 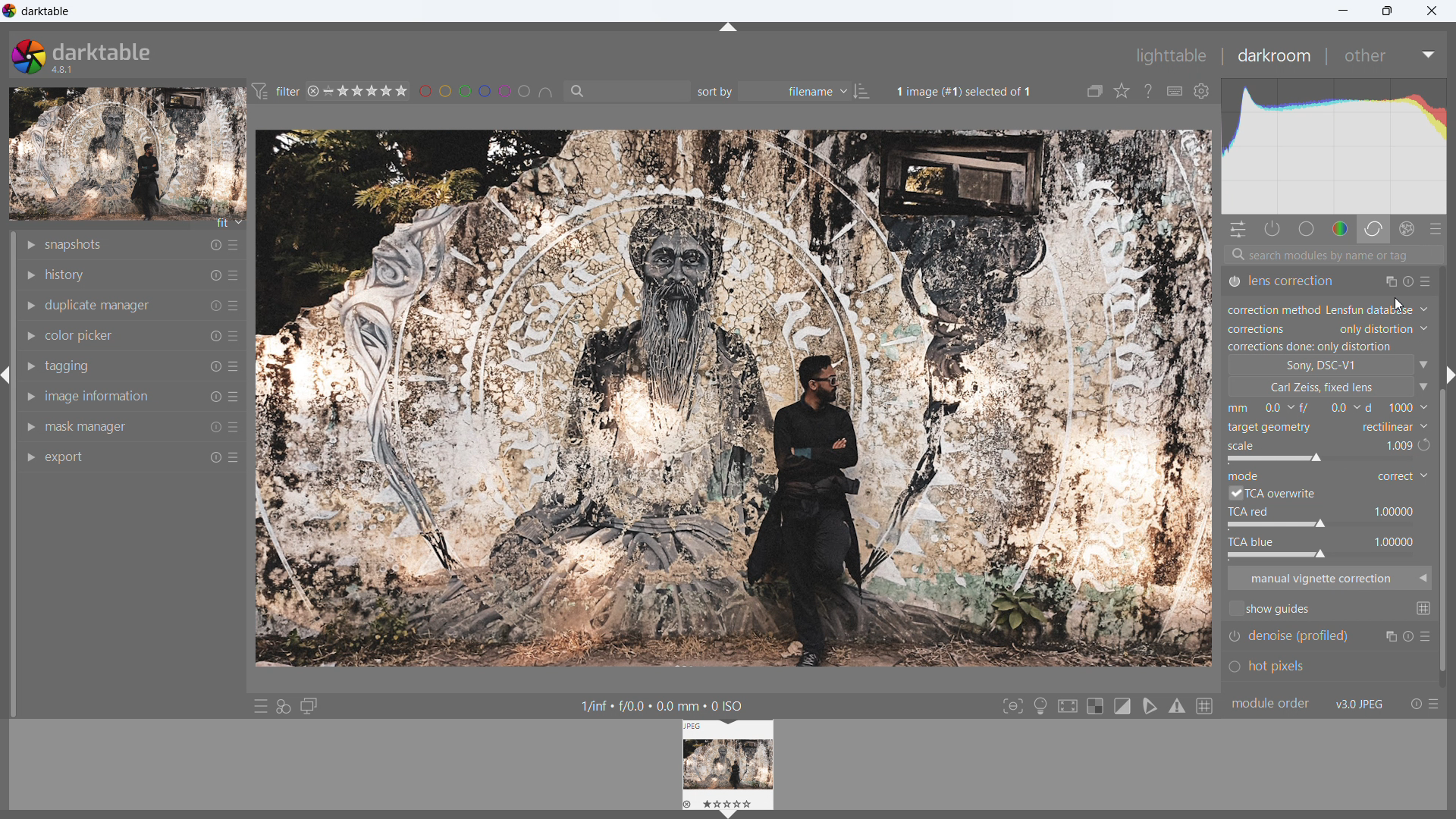 I want to click on image information, so click(x=99, y=396).